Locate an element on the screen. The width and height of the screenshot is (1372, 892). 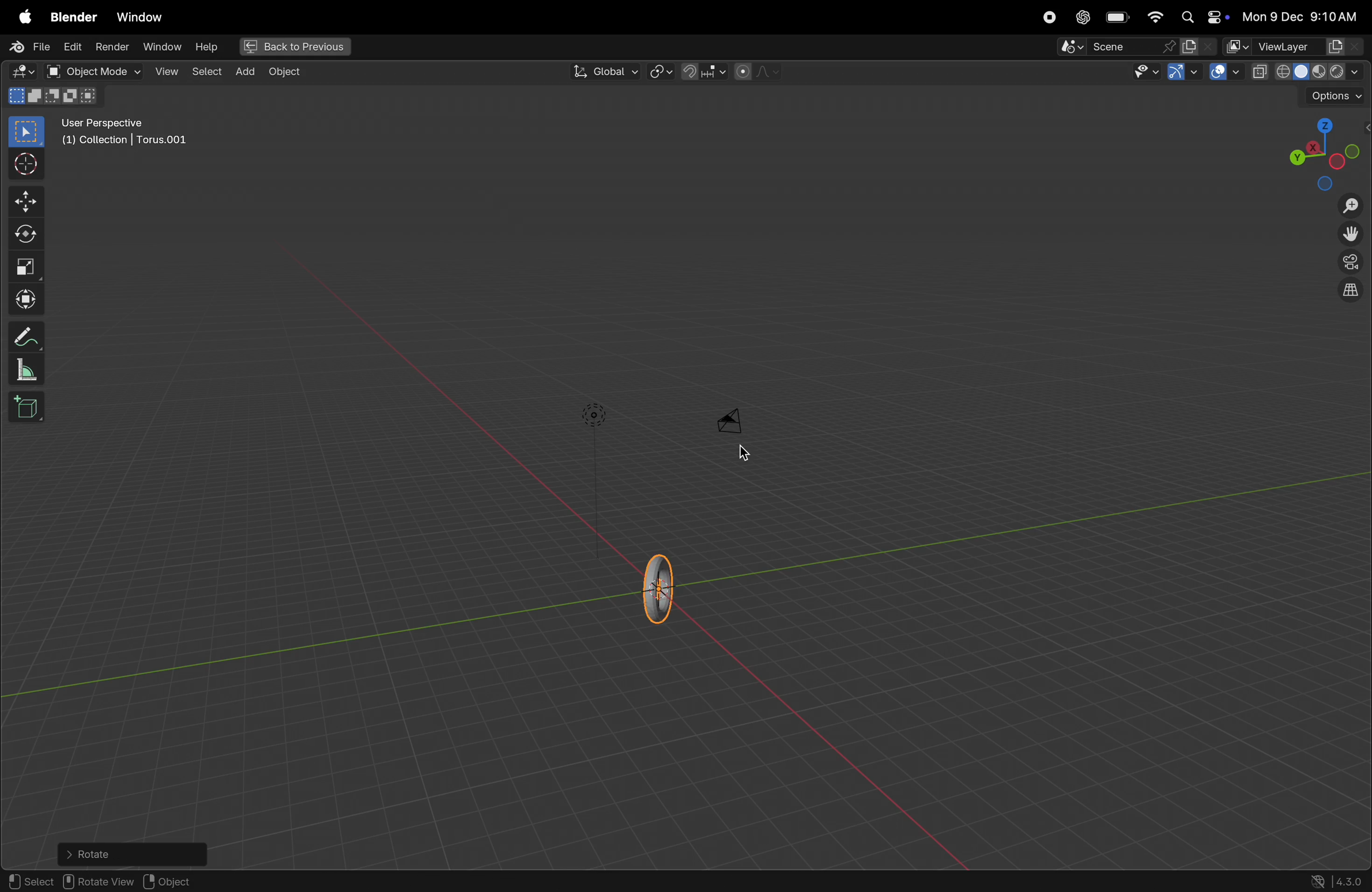
active workscpace is located at coordinates (1238, 46).